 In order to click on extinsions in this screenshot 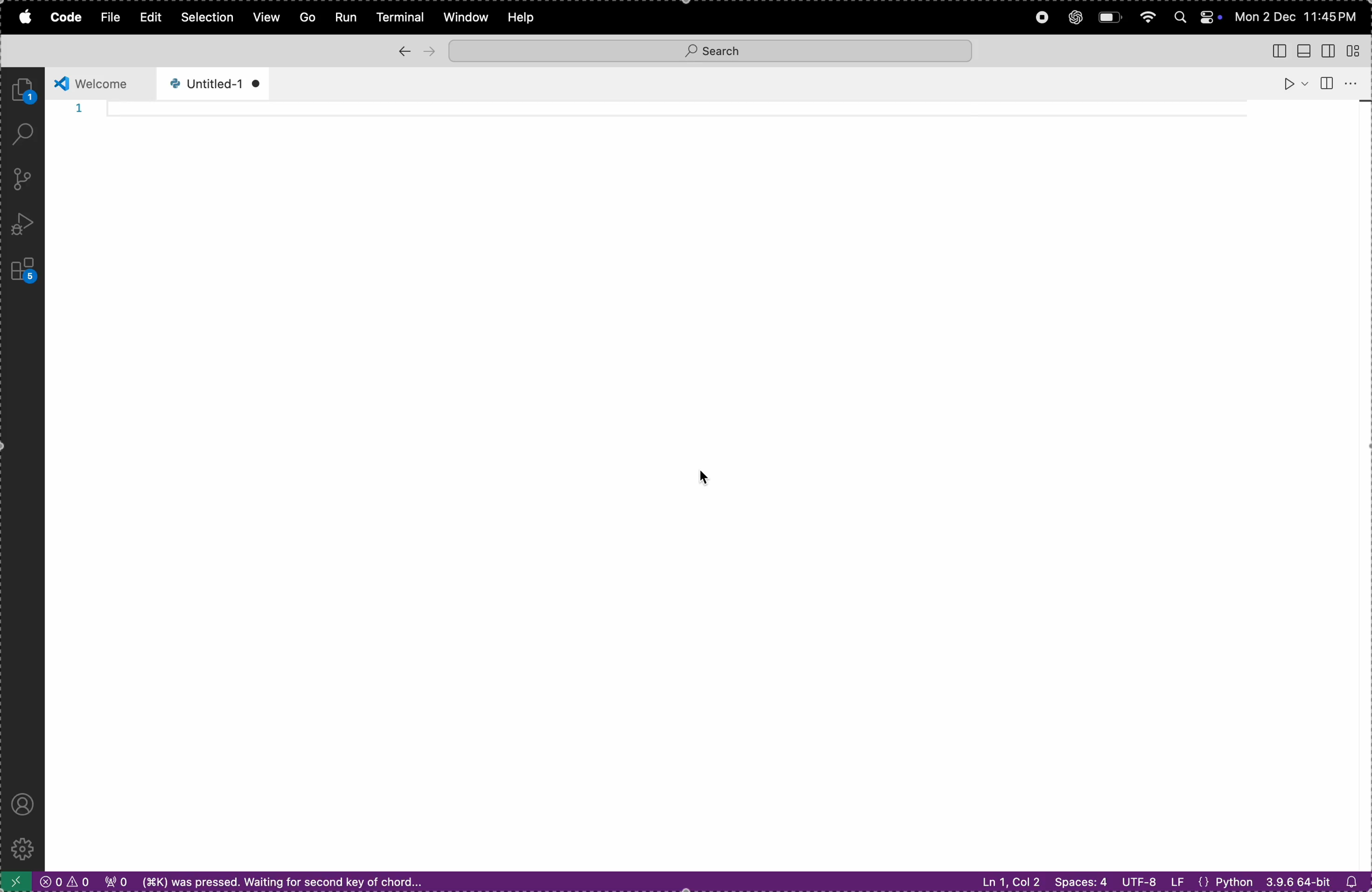, I will do `click(21, 267)`.